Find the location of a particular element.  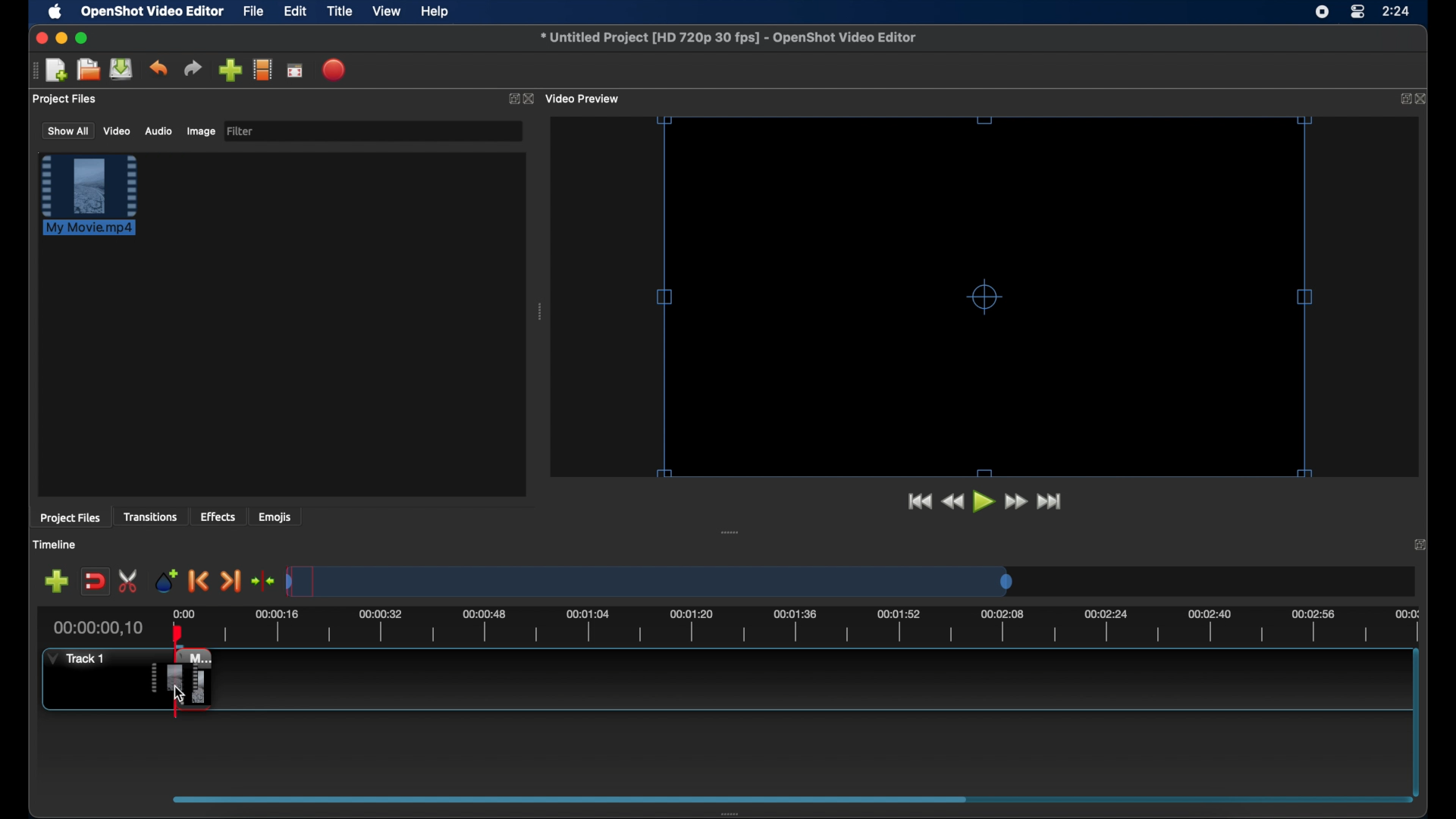

previous marker is located at coordinates (196, 580).